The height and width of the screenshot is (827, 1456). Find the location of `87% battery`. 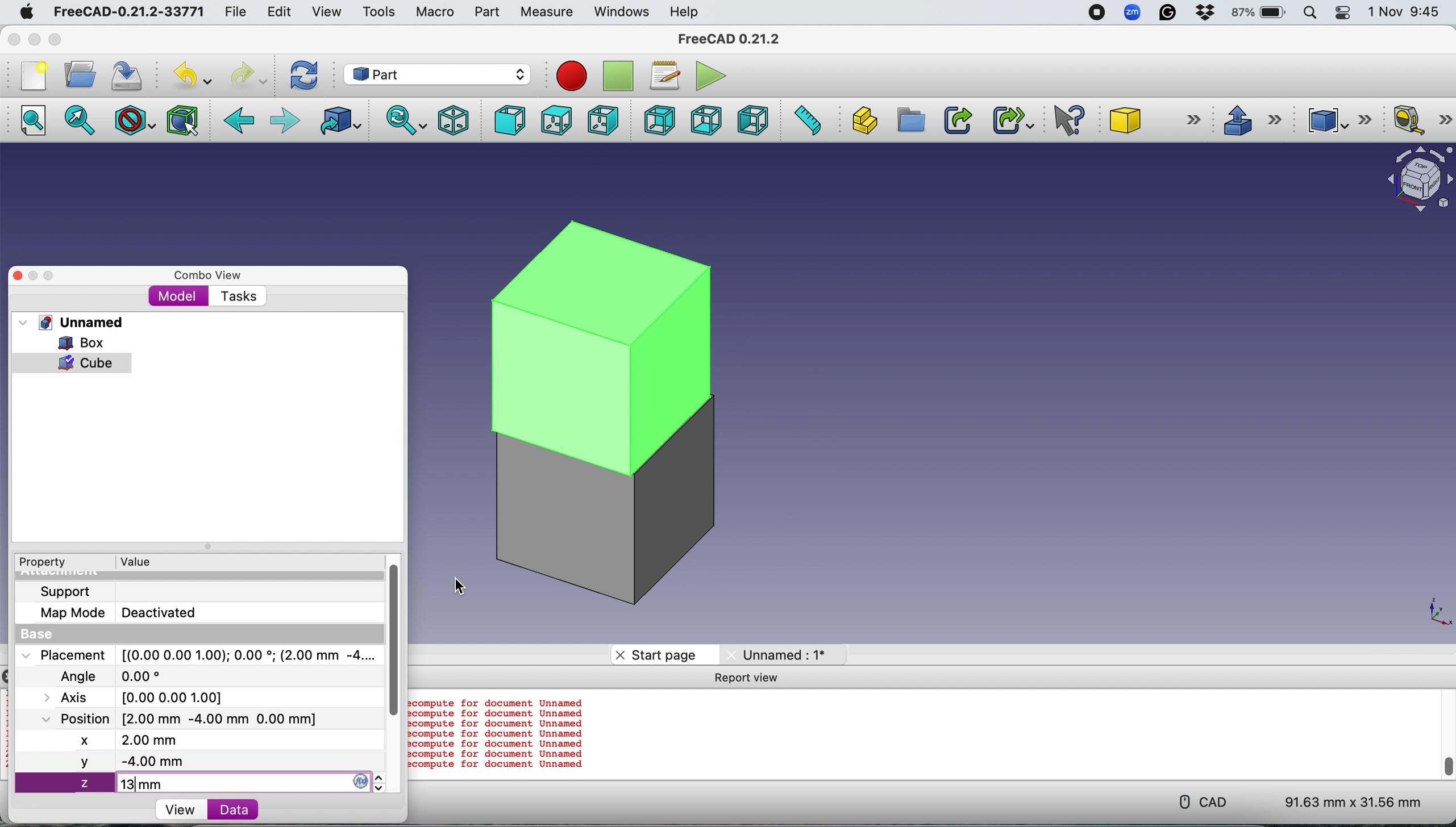

87% battery is located at coordinates (1260, 13).